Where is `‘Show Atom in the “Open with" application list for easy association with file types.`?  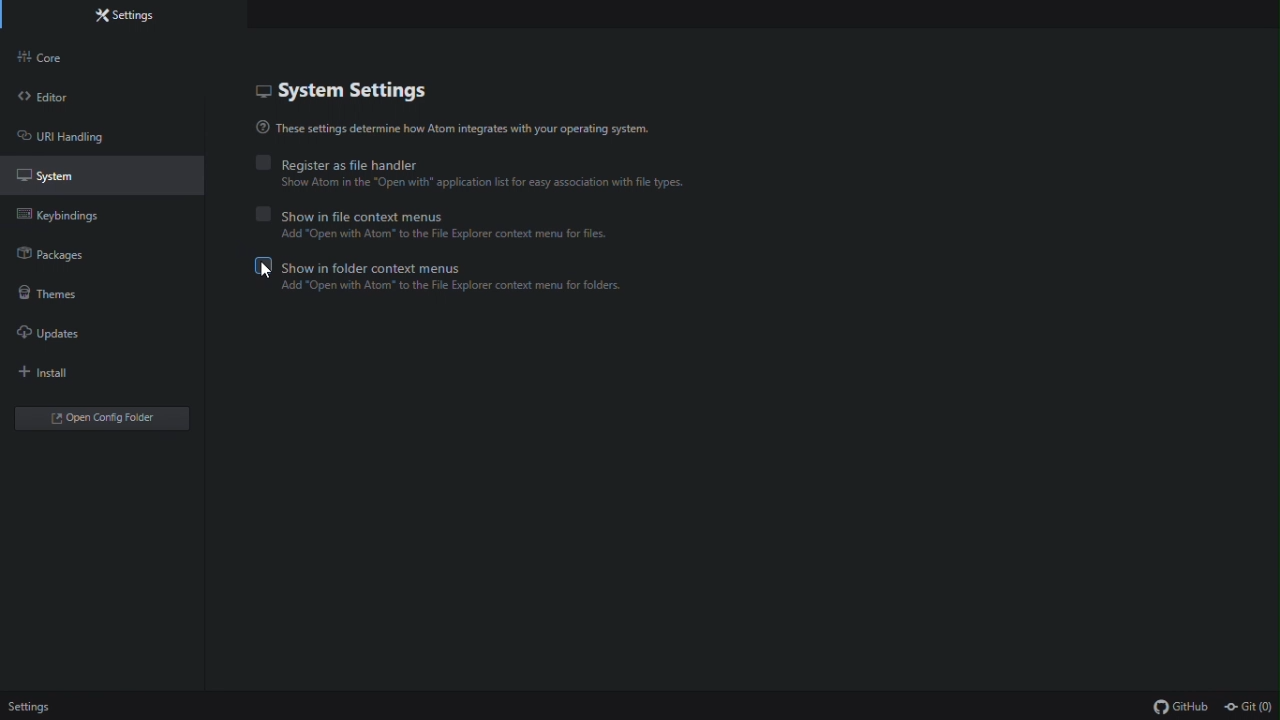 ‘Show Atom in the “Open with" application list for easy association with file types. is located at coordinates (496, 184).